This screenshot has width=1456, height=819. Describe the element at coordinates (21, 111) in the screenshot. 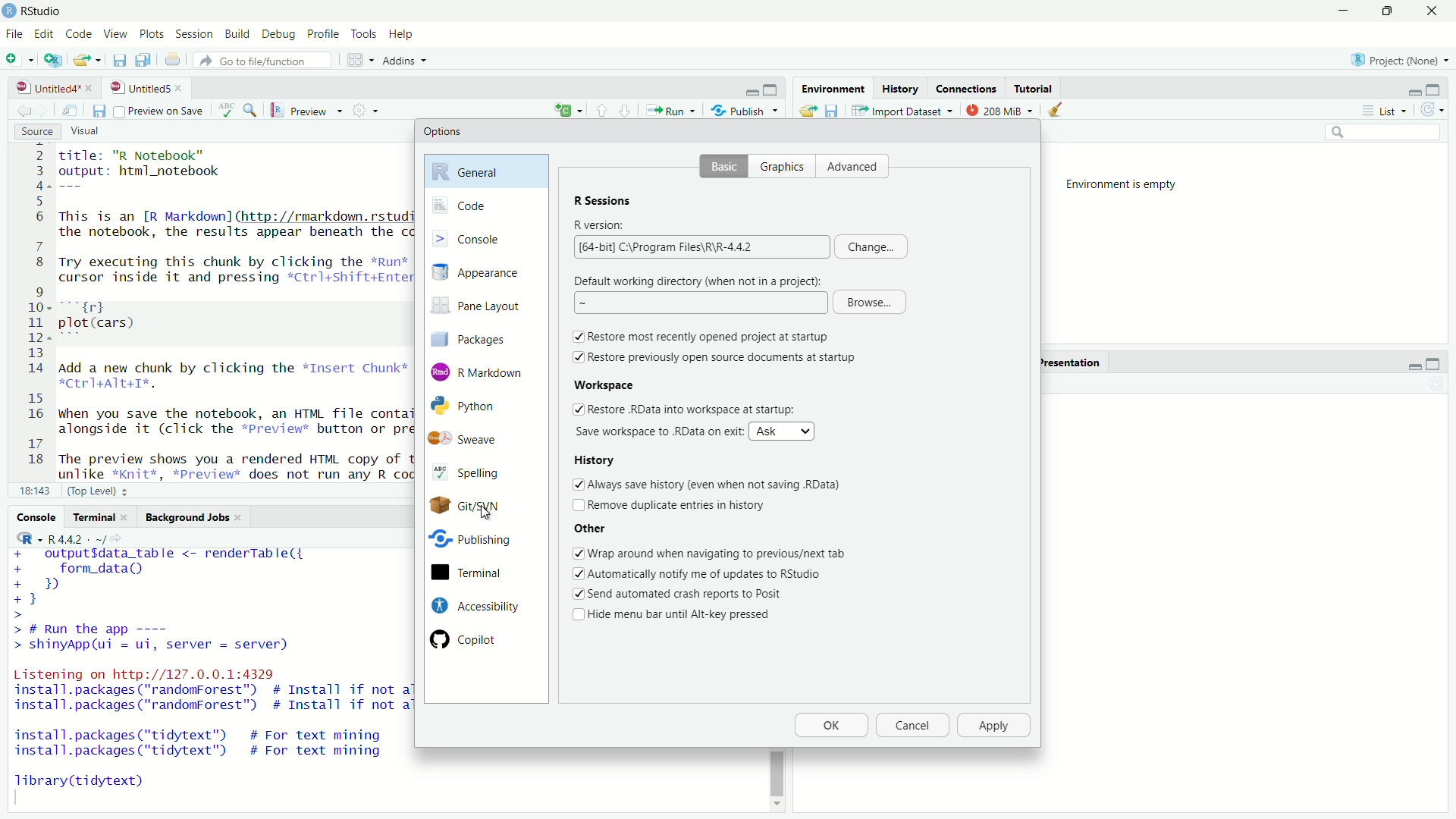

I see `move forward` at that location.